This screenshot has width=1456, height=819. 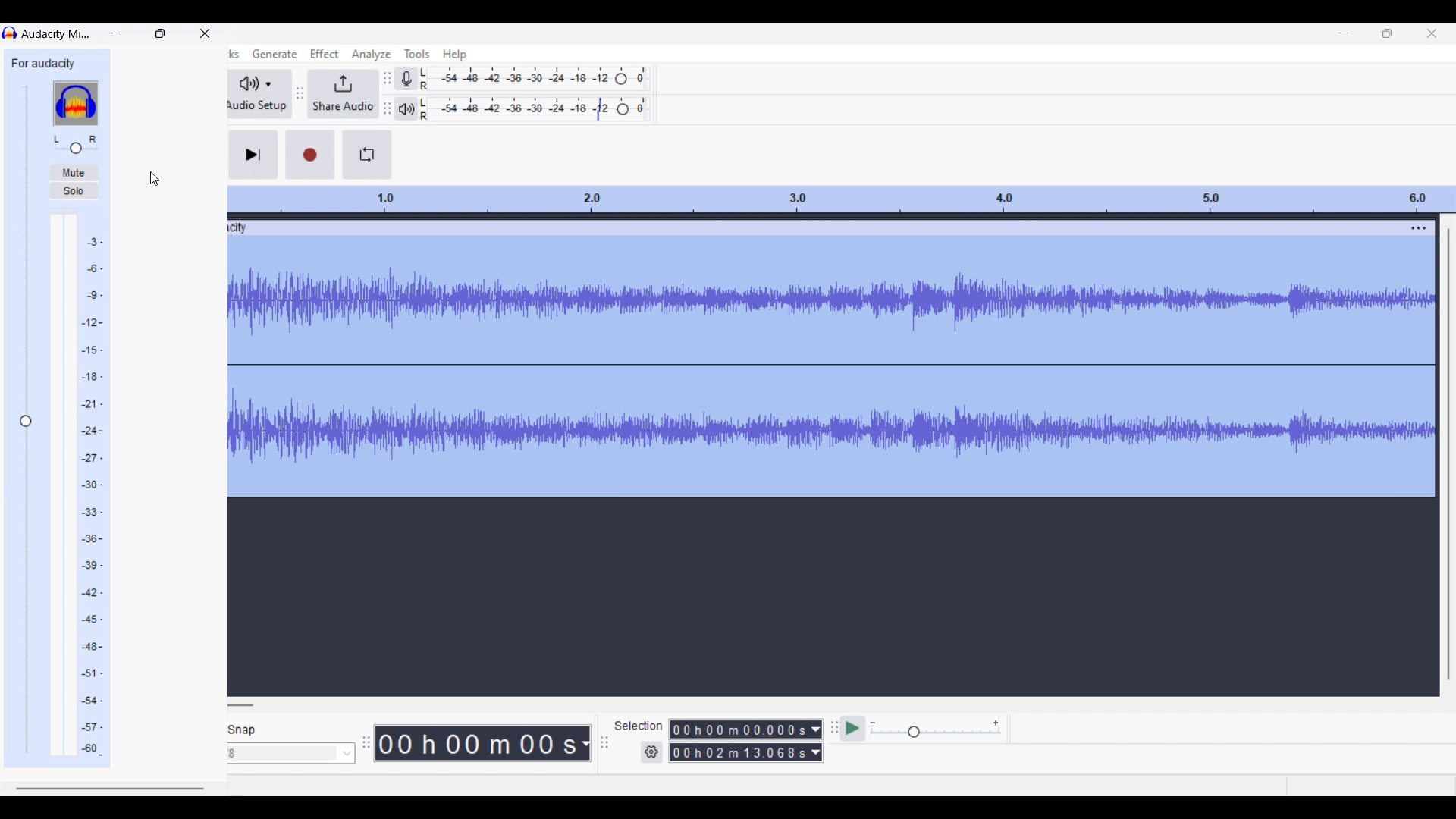 I want to click on Selection settings, so click(x=652, y=752).